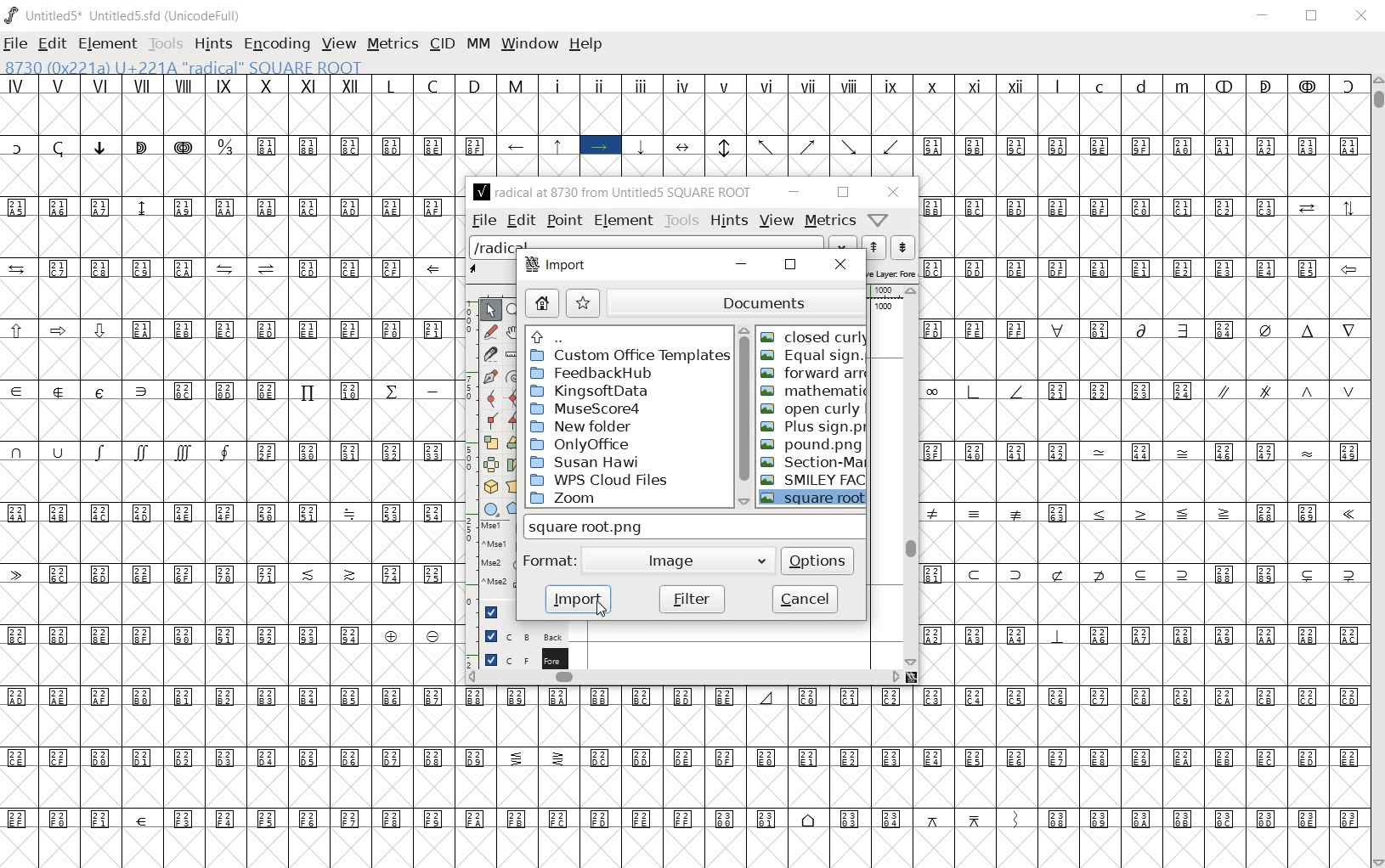 The image size is (1385, 868). Describe the element at coordinates (1263, 16) in the screenshot. I see `MINIMIZE` at that location.